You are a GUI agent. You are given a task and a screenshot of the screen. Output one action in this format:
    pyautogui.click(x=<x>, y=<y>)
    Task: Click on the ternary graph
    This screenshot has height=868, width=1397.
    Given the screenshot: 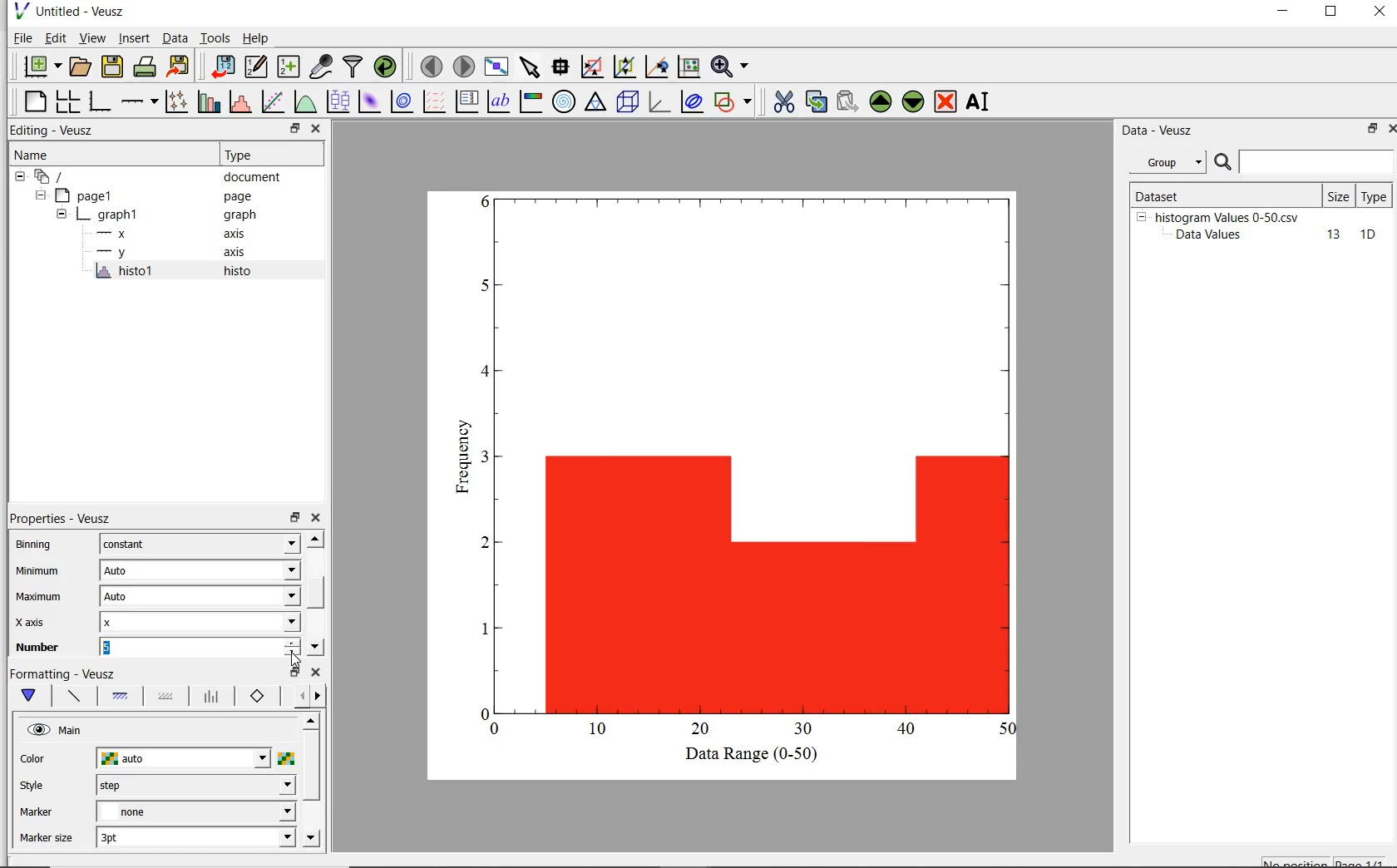 What is the action you would take?
    pyautogui.click(x=596, y=103)
    